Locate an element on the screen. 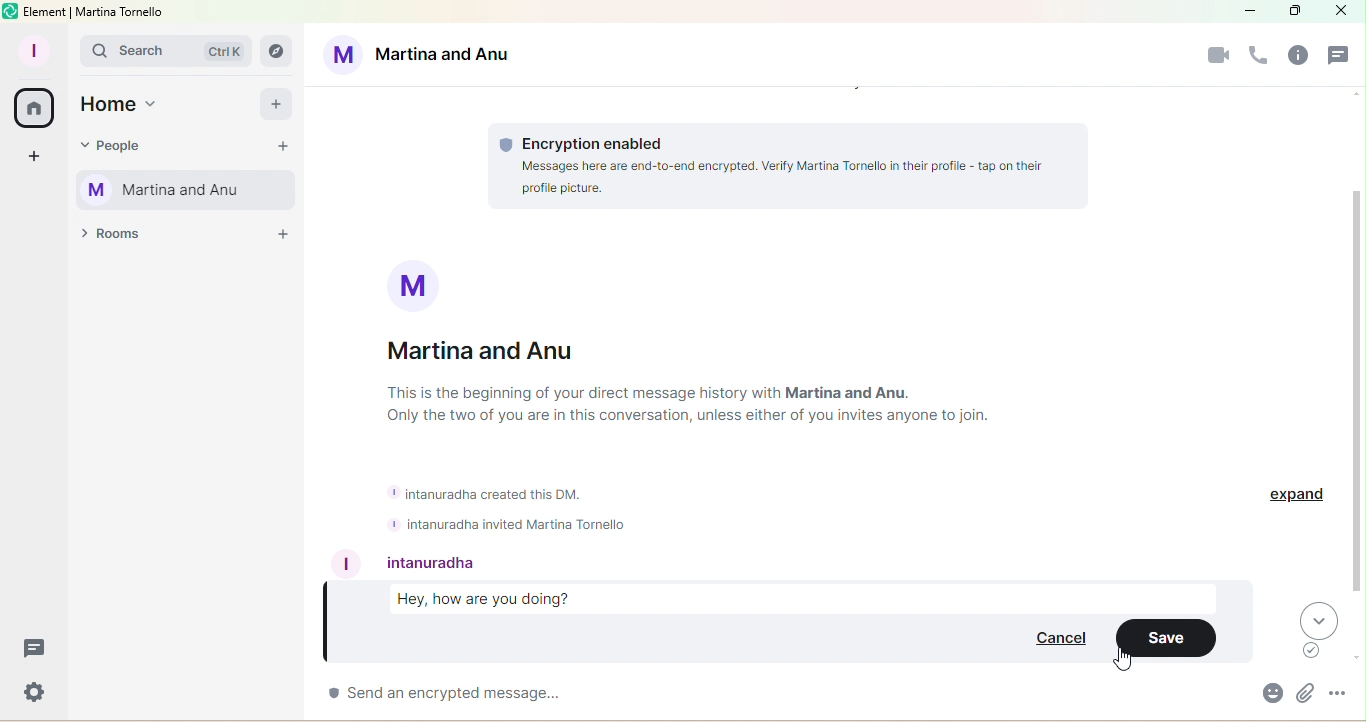 This screenshot has width=1366, height=722. Attachment is located at coordinates (1304, 696).